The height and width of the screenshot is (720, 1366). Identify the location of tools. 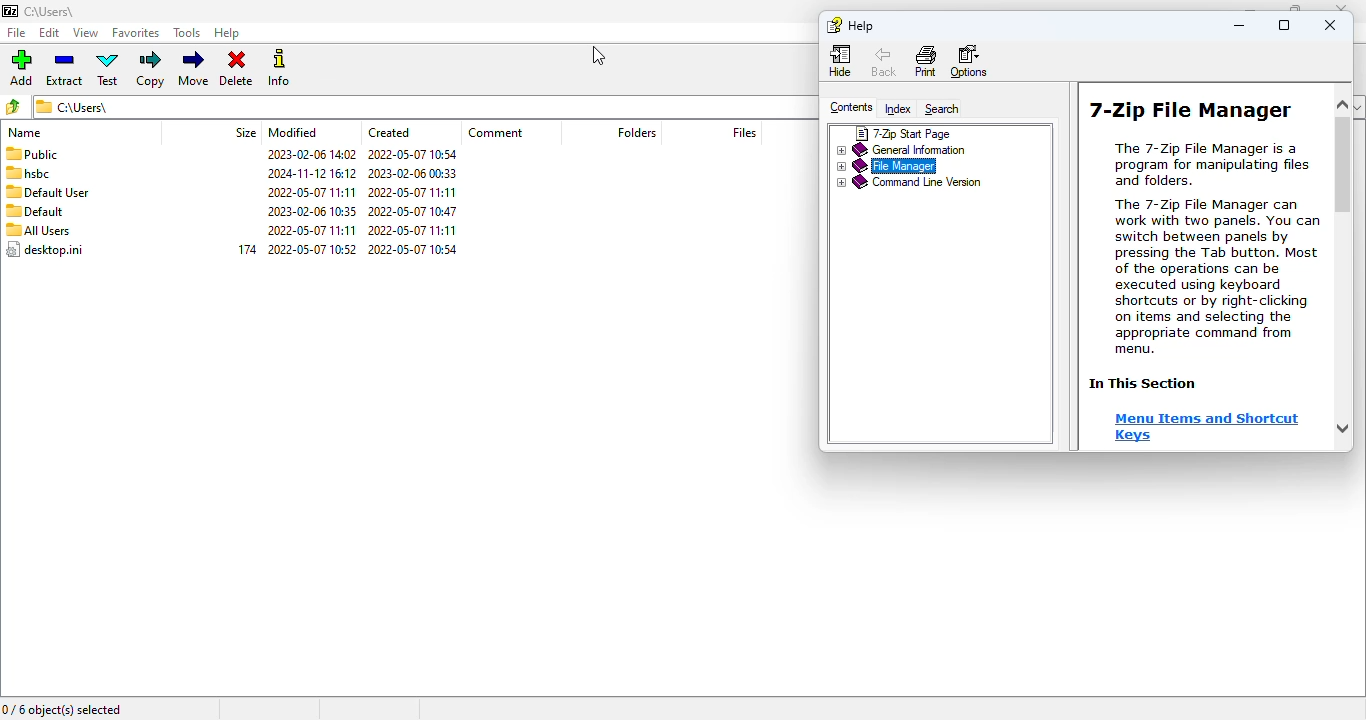
(187, 33).